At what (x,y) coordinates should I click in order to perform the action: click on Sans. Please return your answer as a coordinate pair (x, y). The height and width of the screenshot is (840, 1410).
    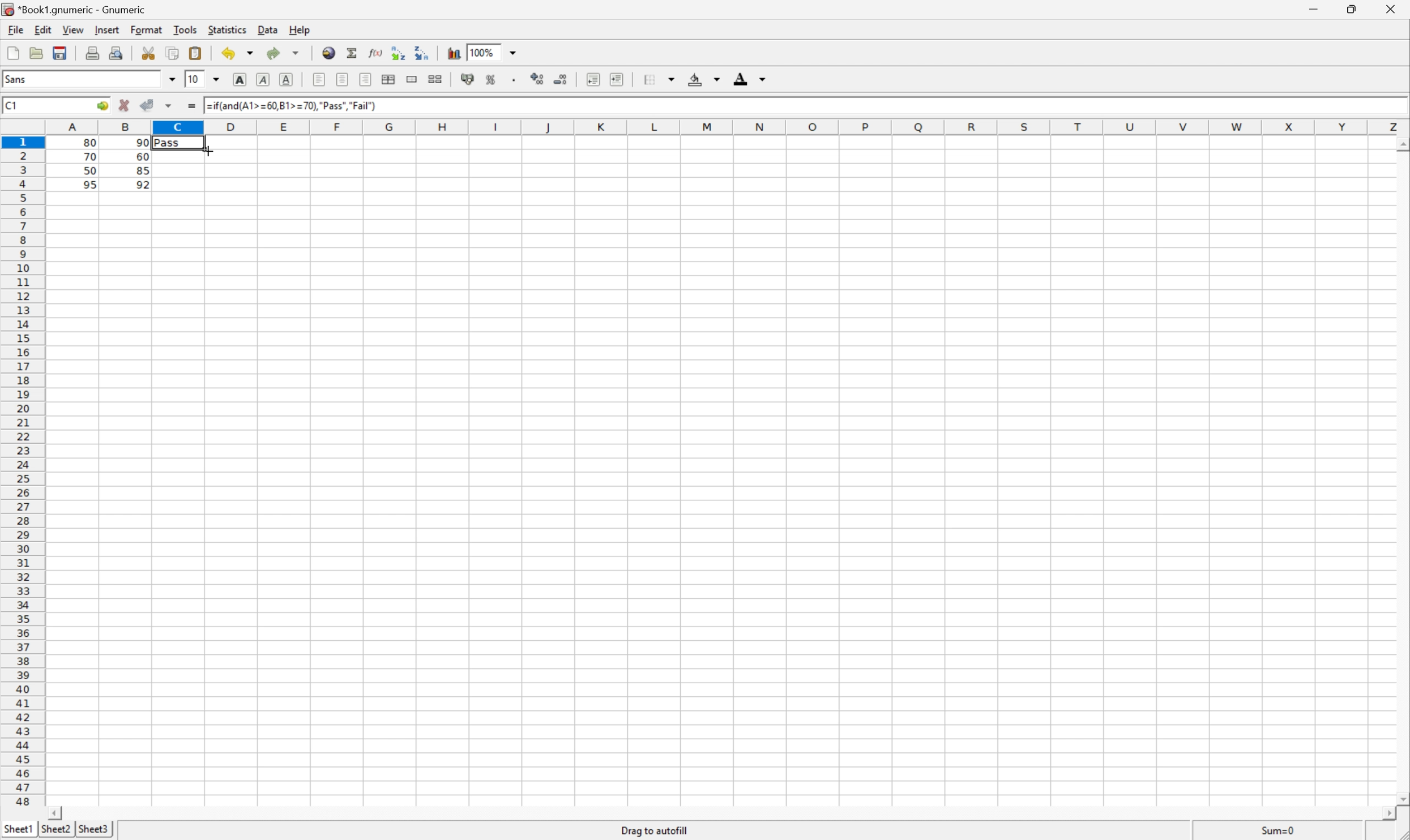
    Looking at the image, I should click on (17, 78).